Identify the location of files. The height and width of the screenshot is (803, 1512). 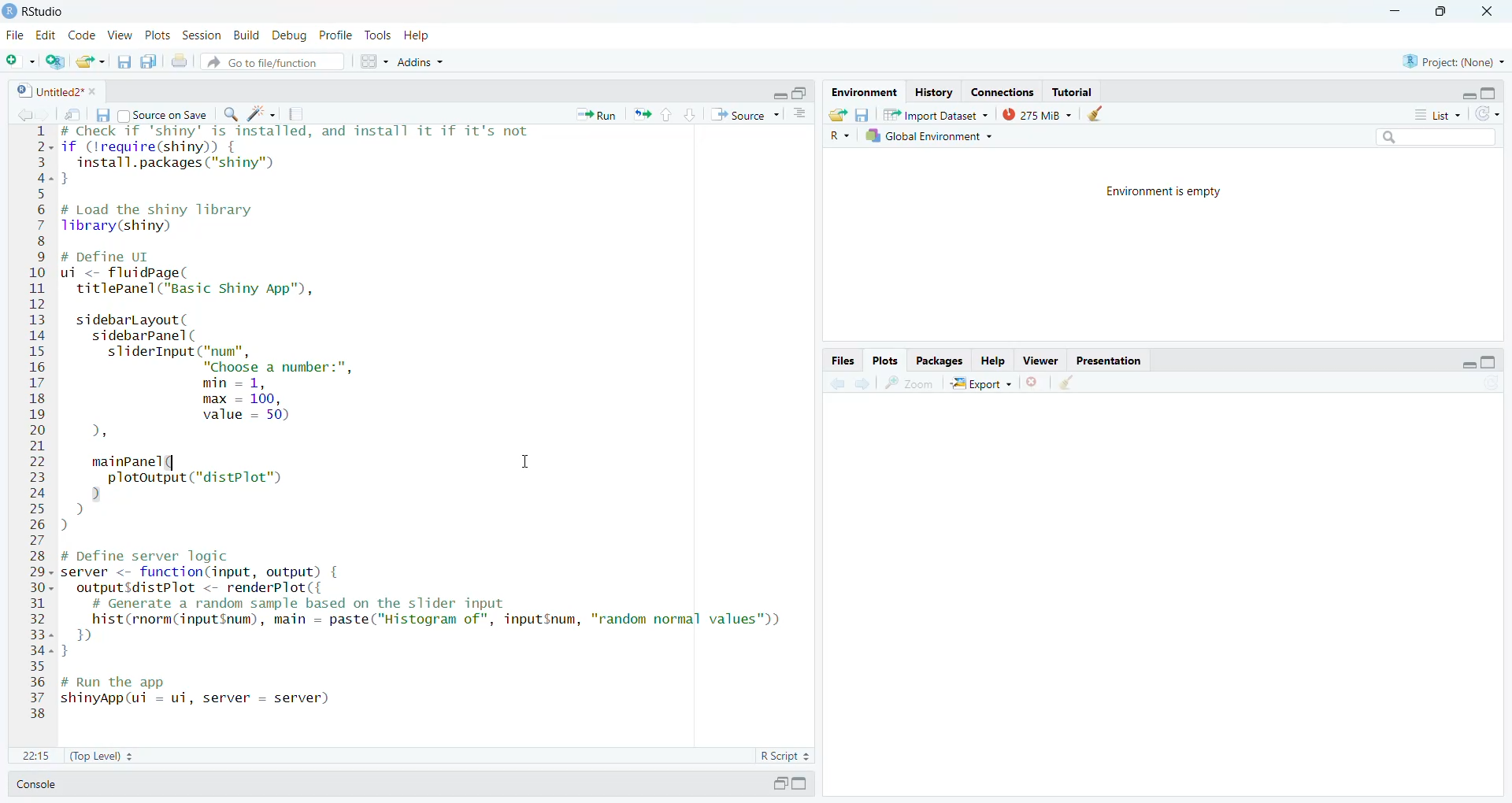
(843, 361).